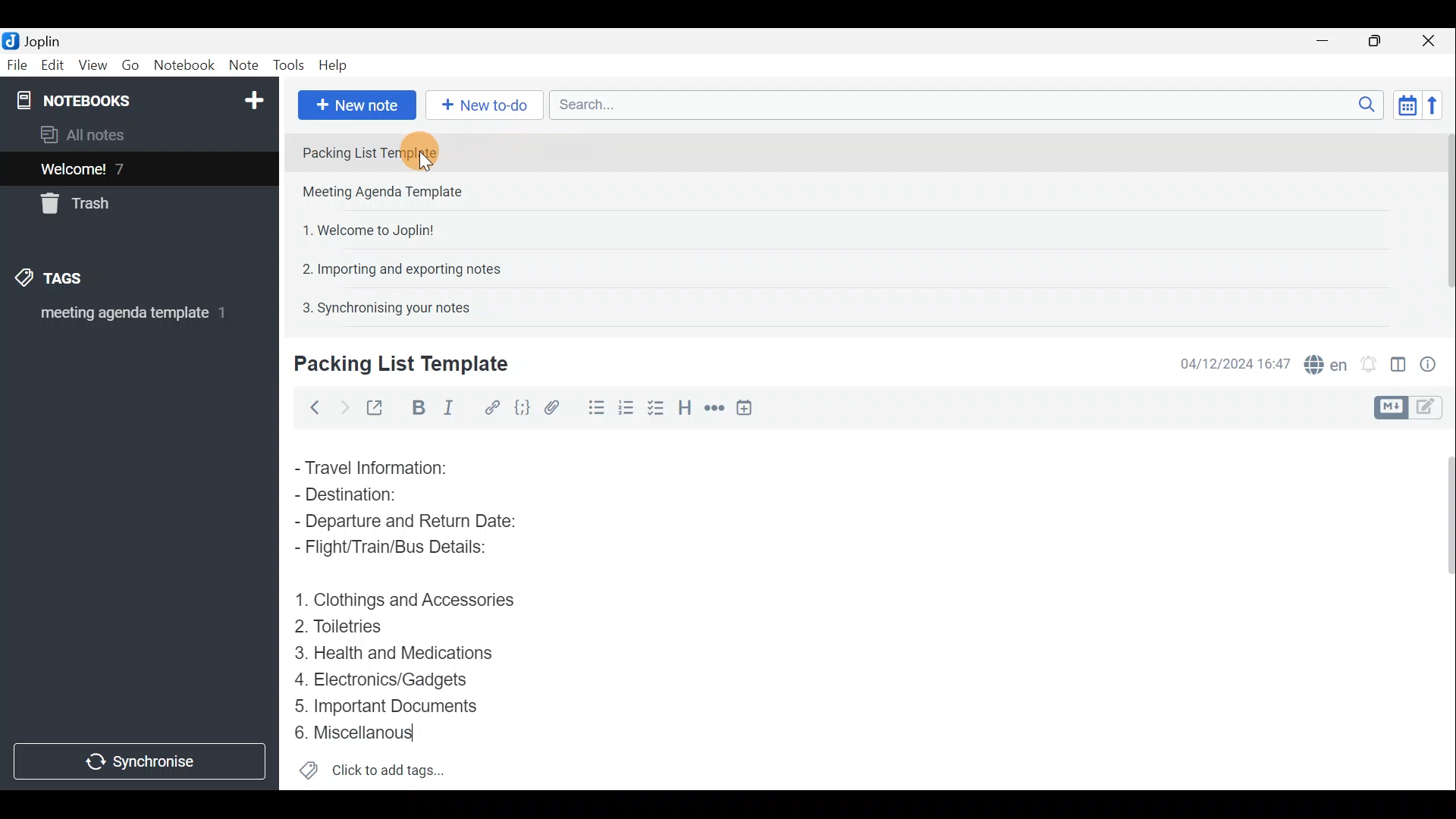 This screenshot has width=1456, height=819. Describe the element at coordinates (312, 407) in the screenshot. I see `Back` at that location.